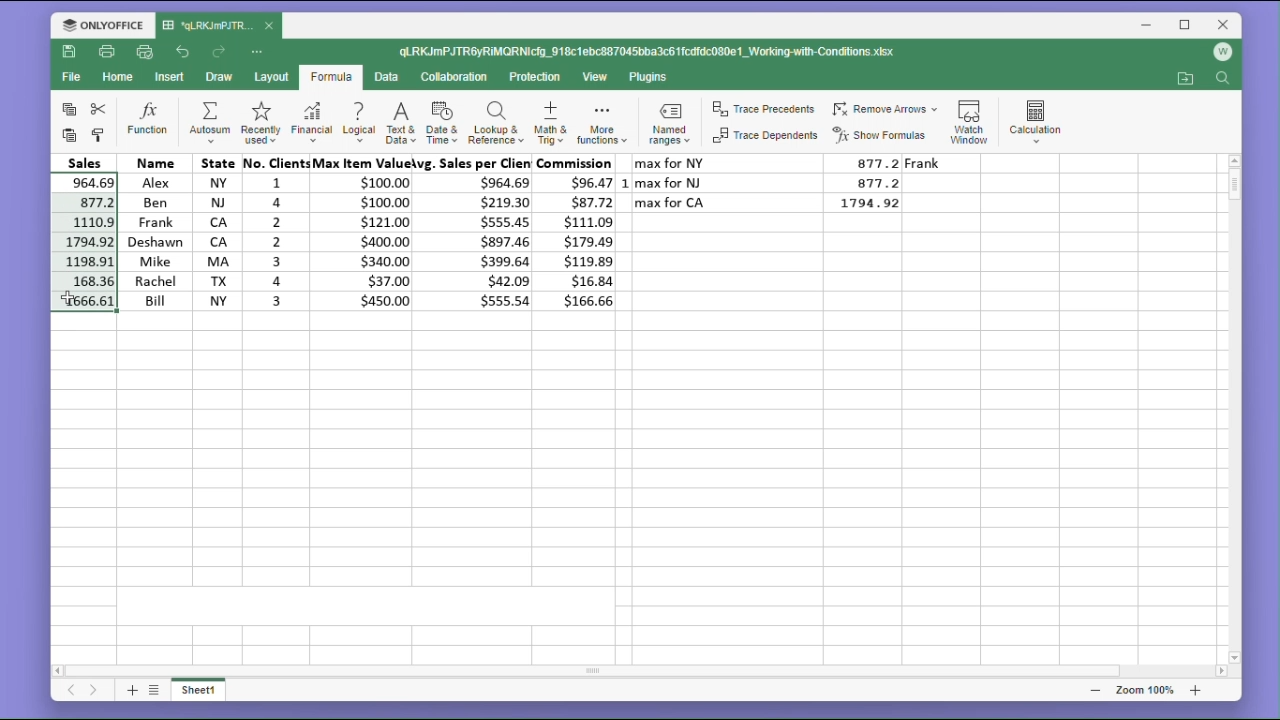 The width and height of the screenshot is (1280, 720). What do you see at coordinates (668, 52) in the screenshot?
I see `ql.RKJmPJTRiMQRNlclg_918c1ebc887045bba3c61fcdfdc080e1_Working-with-Conditions.xlsx` at bounding box center [668, 52].